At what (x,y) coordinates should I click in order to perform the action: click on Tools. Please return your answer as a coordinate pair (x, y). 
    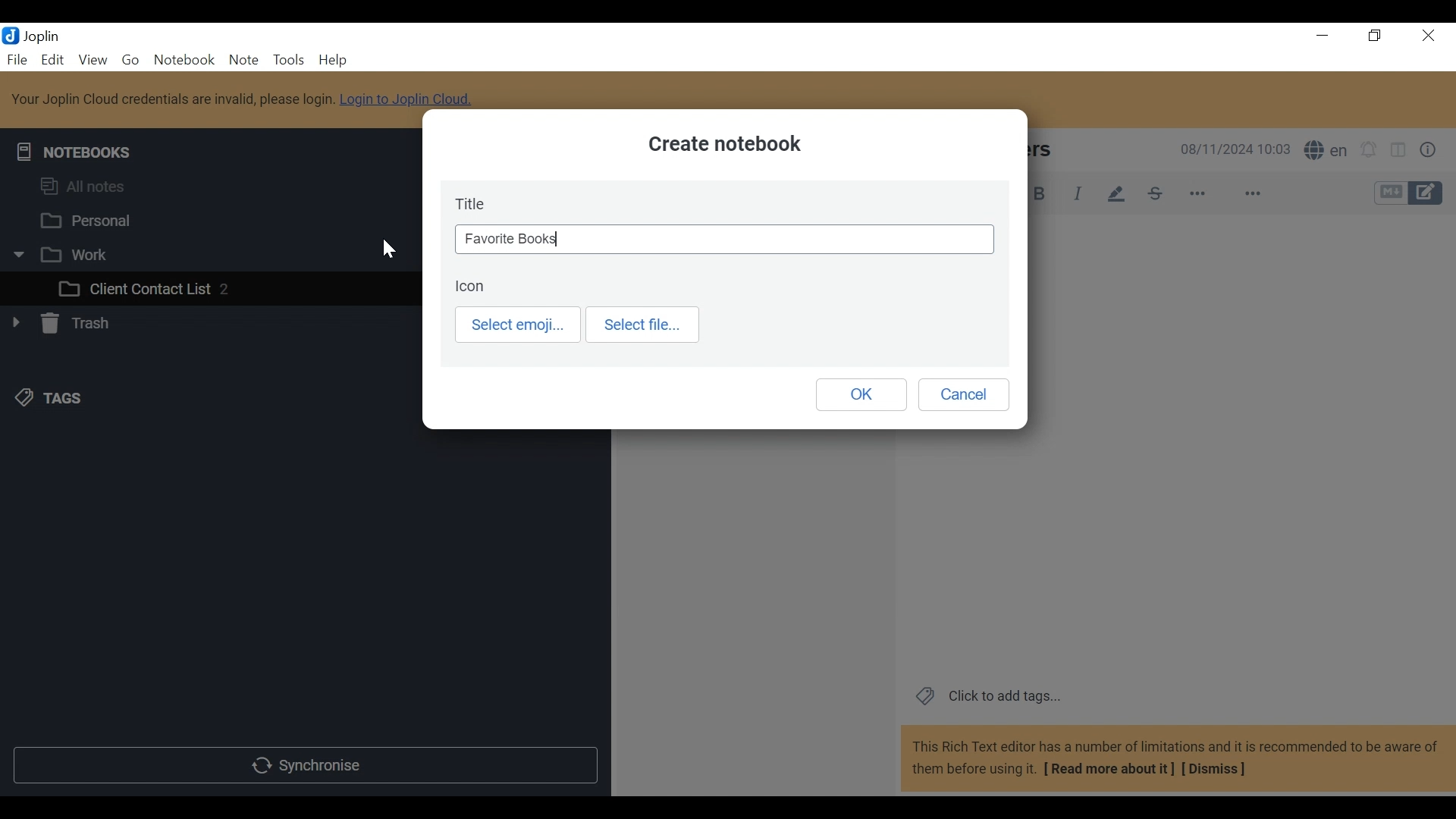
    Looking at the image, I should click on (287, 61).